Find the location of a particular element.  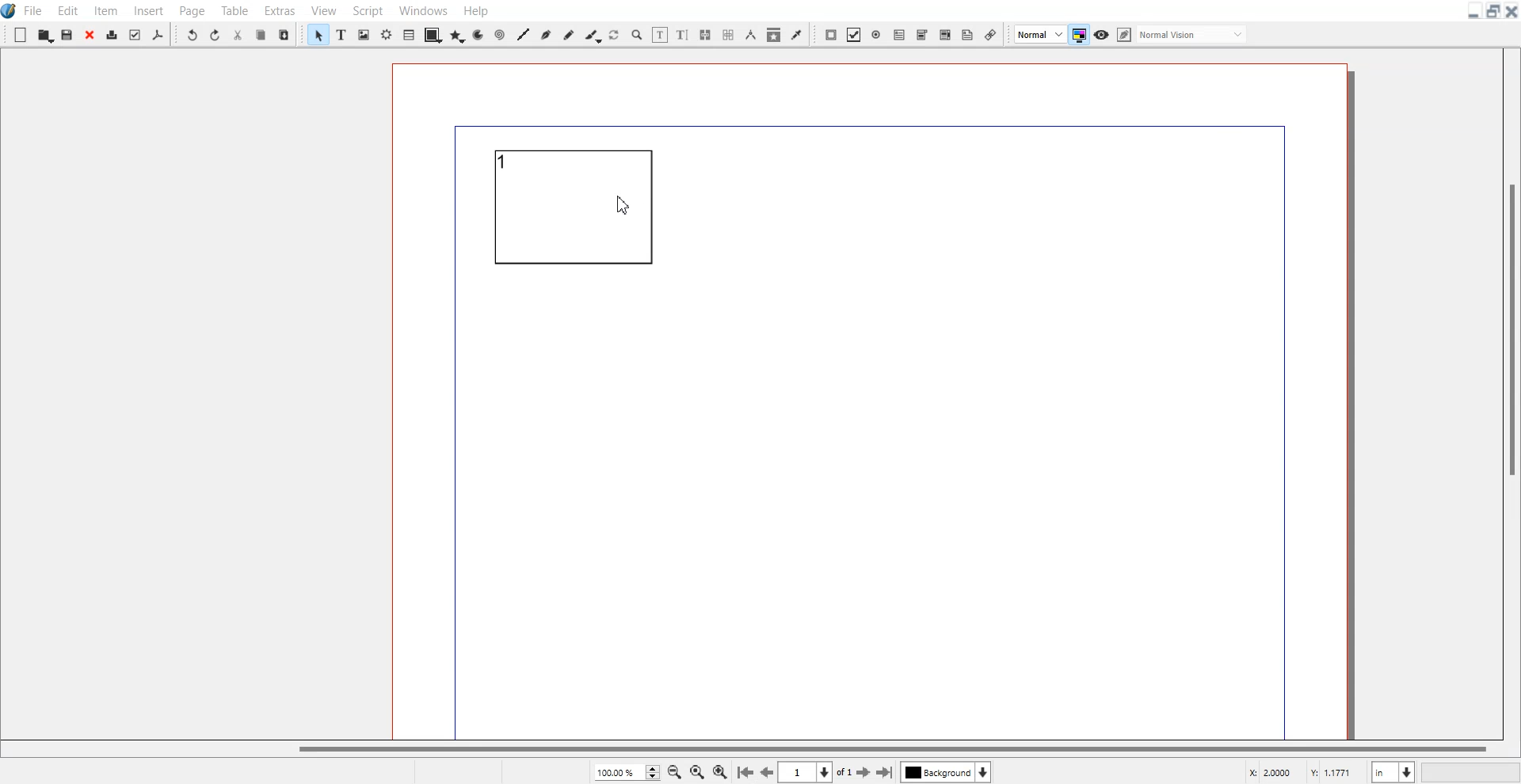

PDF Text Field is located at coordinates (899, 34).